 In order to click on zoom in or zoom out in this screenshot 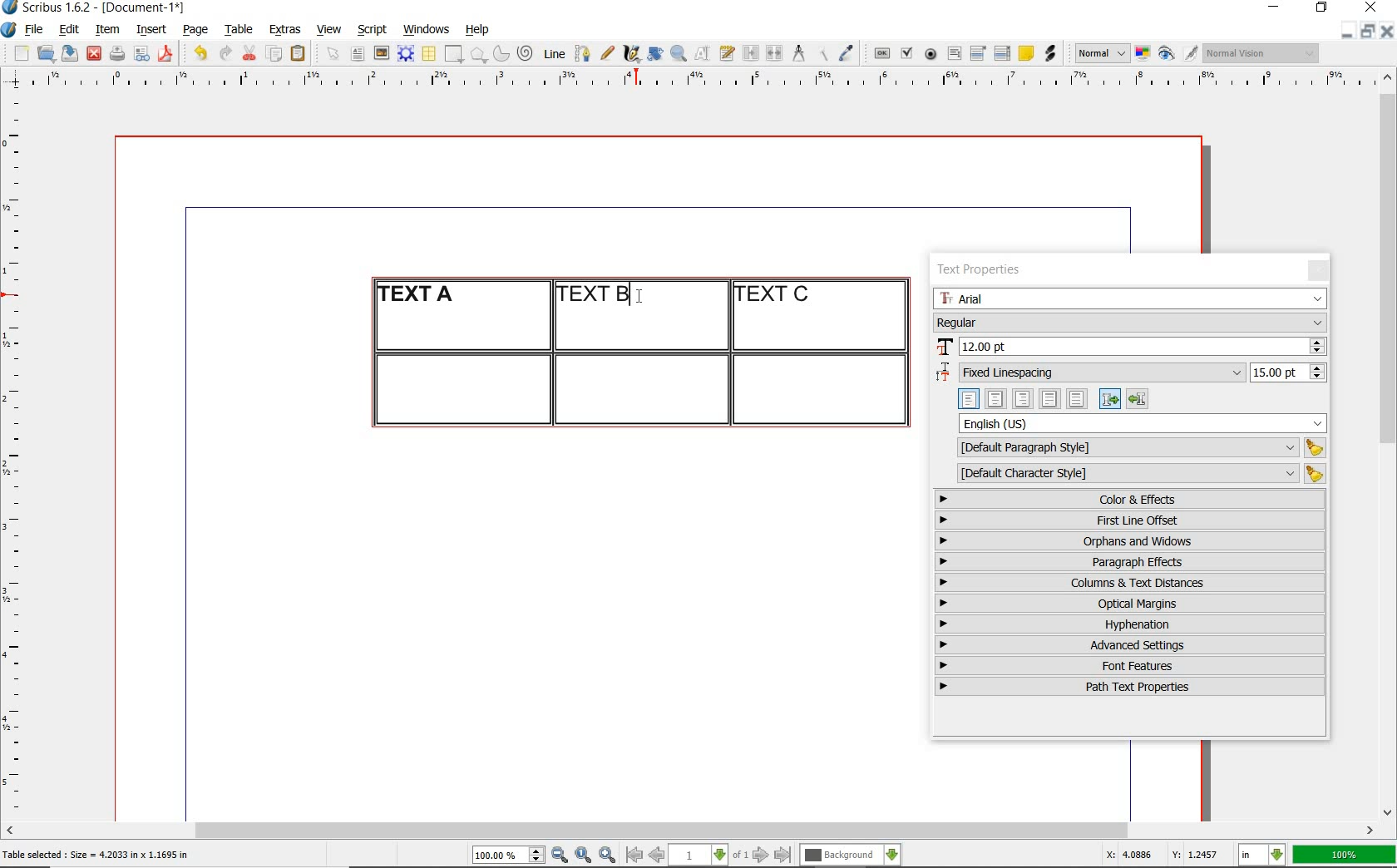, I will do `click(679, 53)`.